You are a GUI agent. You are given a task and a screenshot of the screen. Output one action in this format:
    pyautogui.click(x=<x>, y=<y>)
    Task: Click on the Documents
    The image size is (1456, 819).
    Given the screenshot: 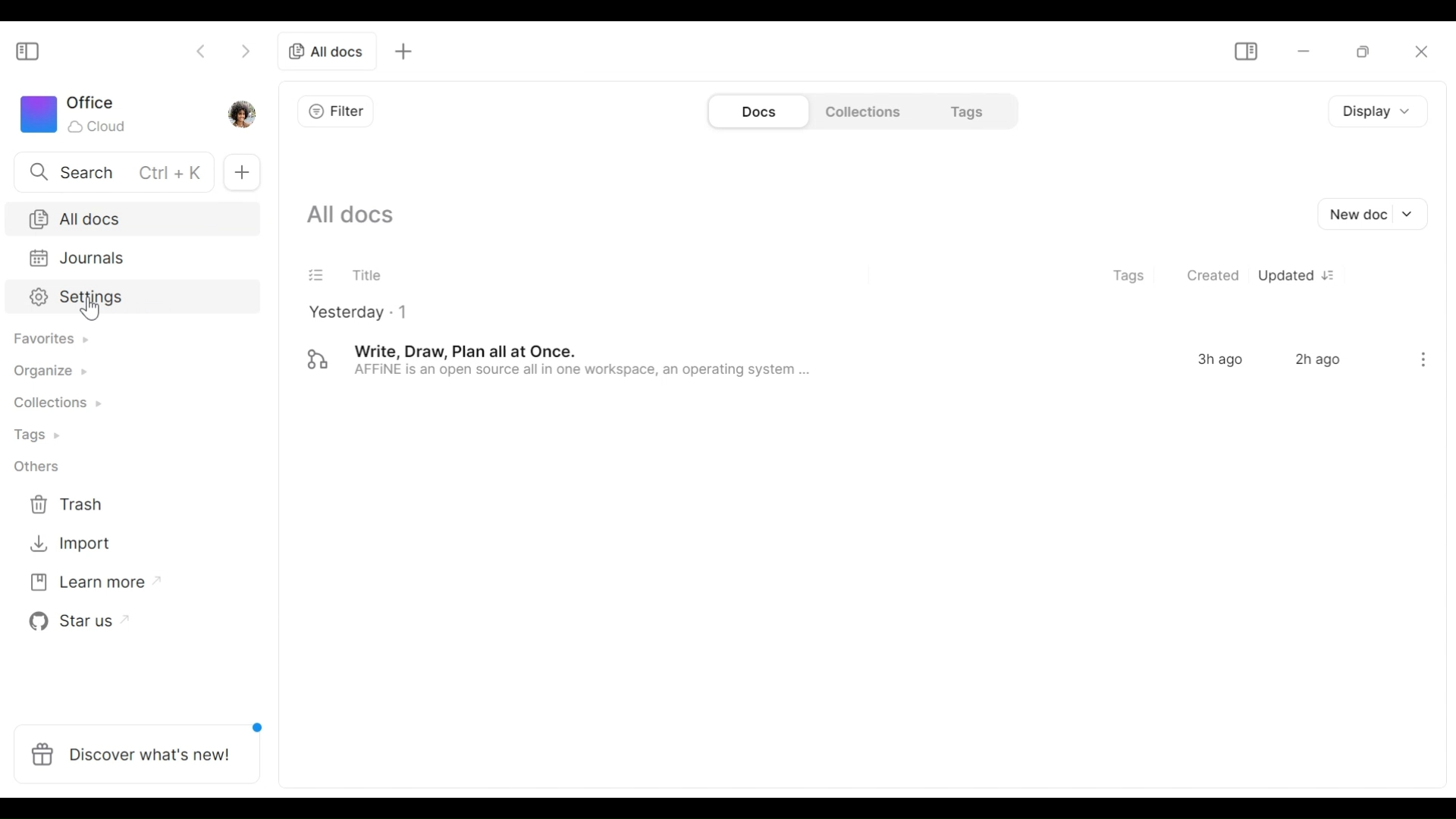 What is the action you would take?
    pyautogui.click(x=759, y=111)
    